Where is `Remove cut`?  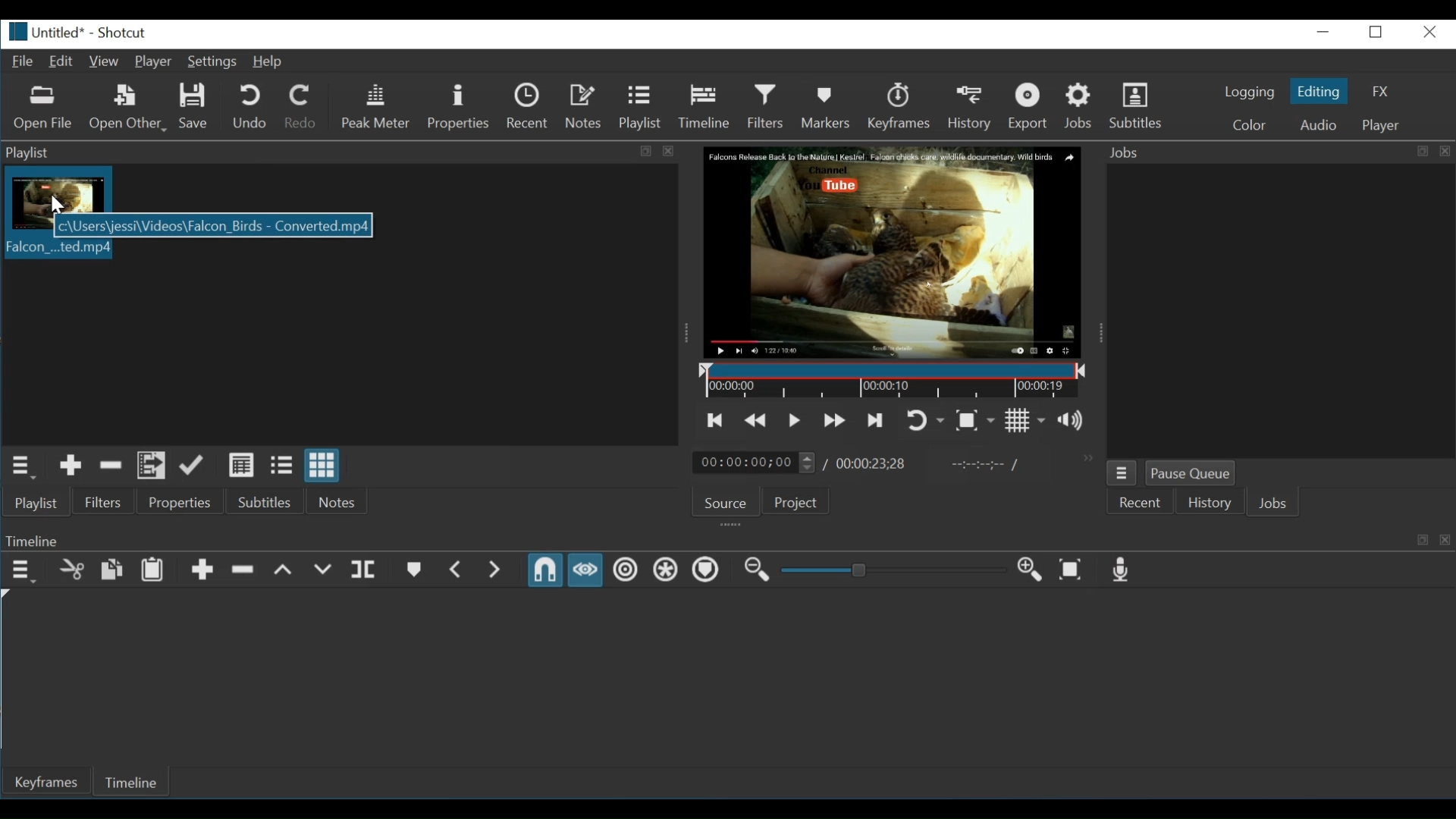
Remove cut is located at coordinates (111, 466).